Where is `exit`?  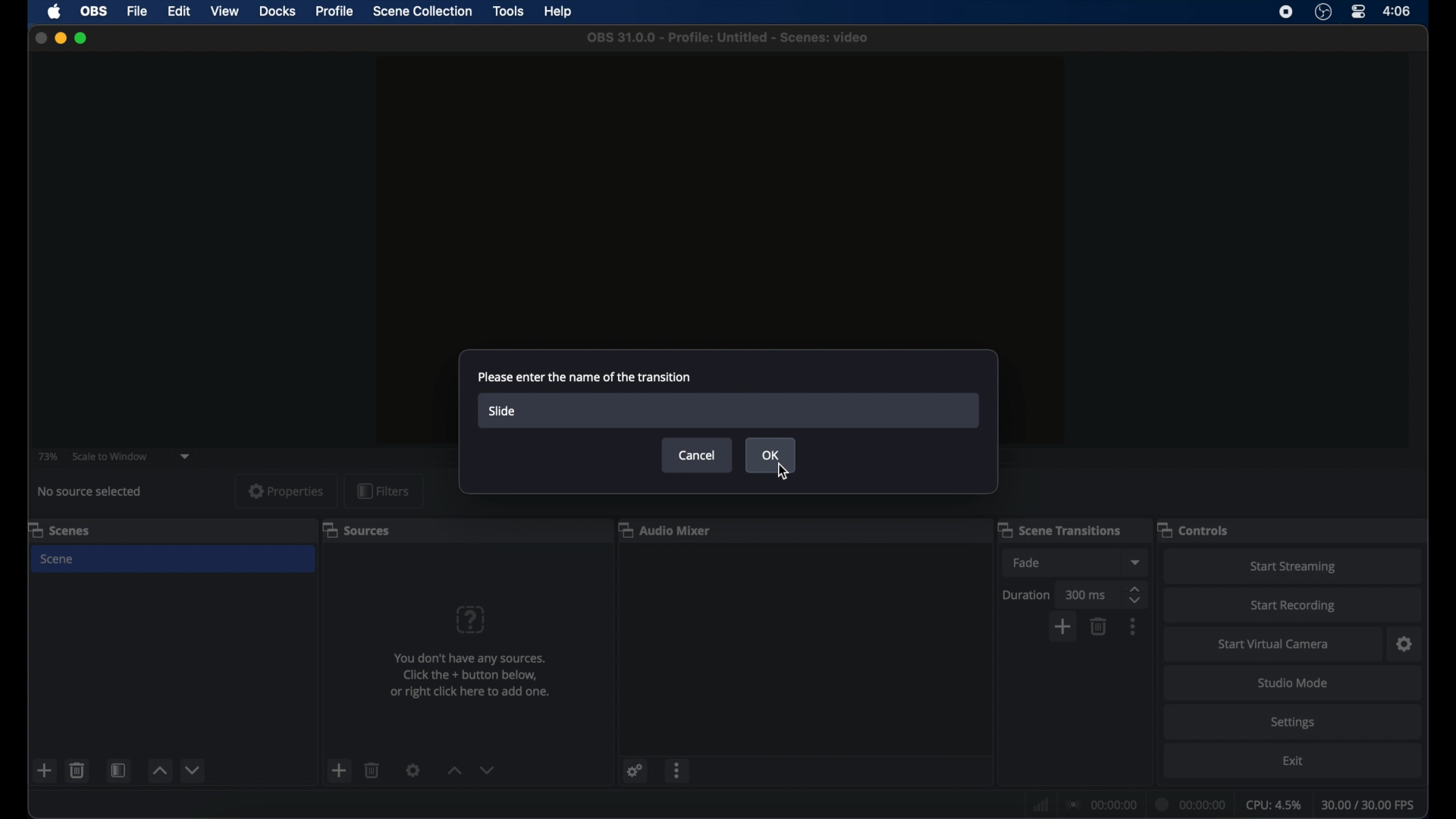 exit is located at coordinates (1293, 761).